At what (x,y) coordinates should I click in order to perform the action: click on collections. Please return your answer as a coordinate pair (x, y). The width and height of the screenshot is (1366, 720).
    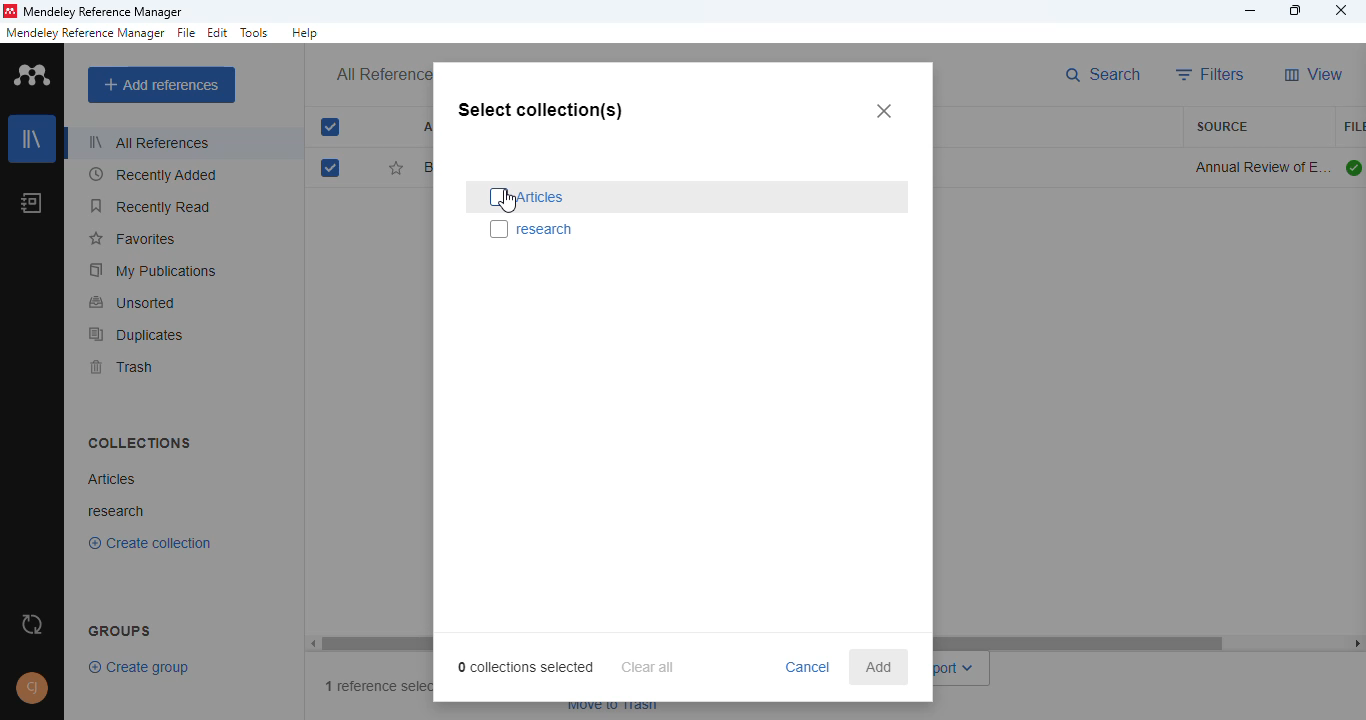
    Looking at the image, I should click on (141, 443).